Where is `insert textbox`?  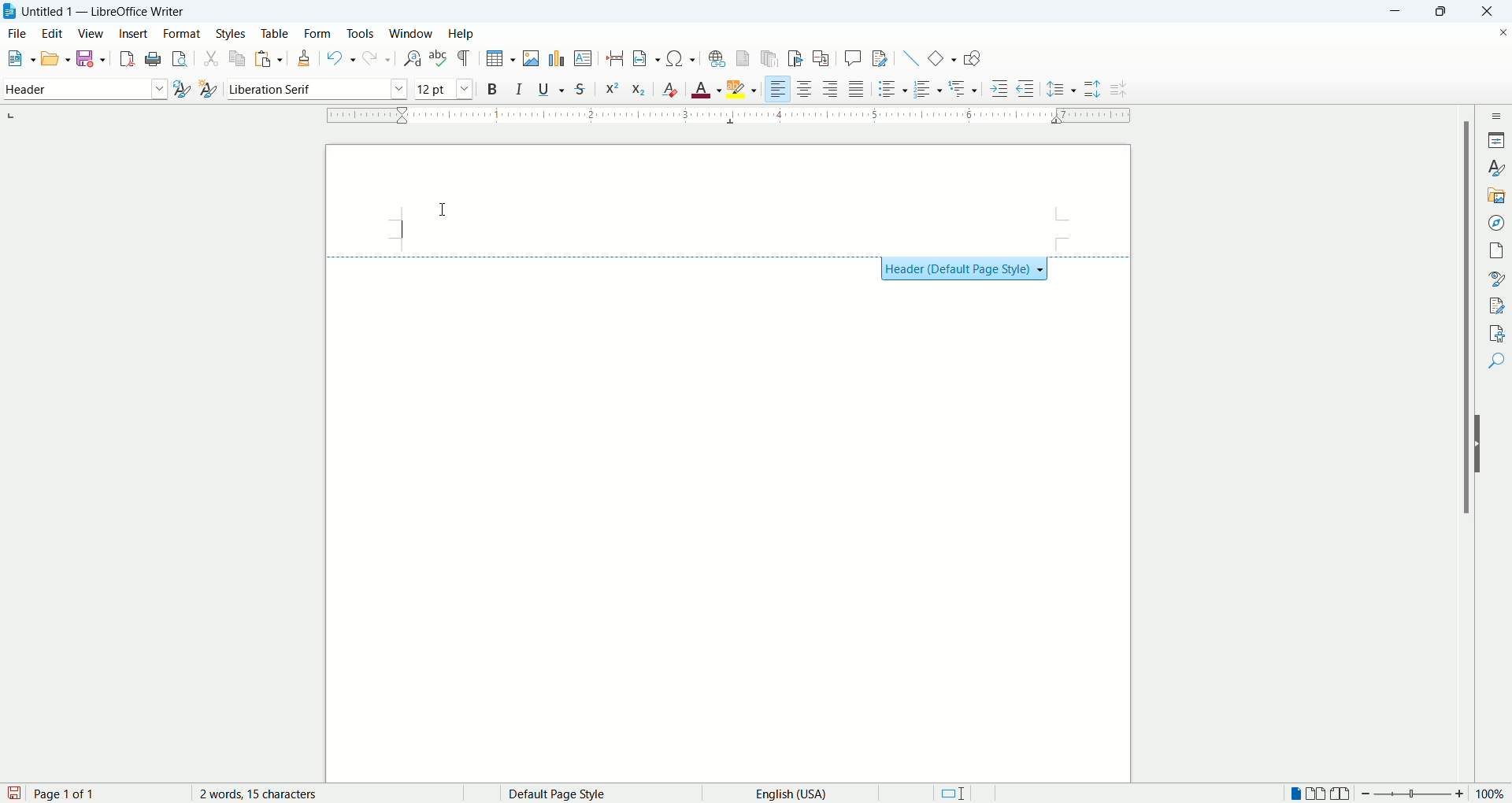 insert textbox is located at coordinates (583, 57).